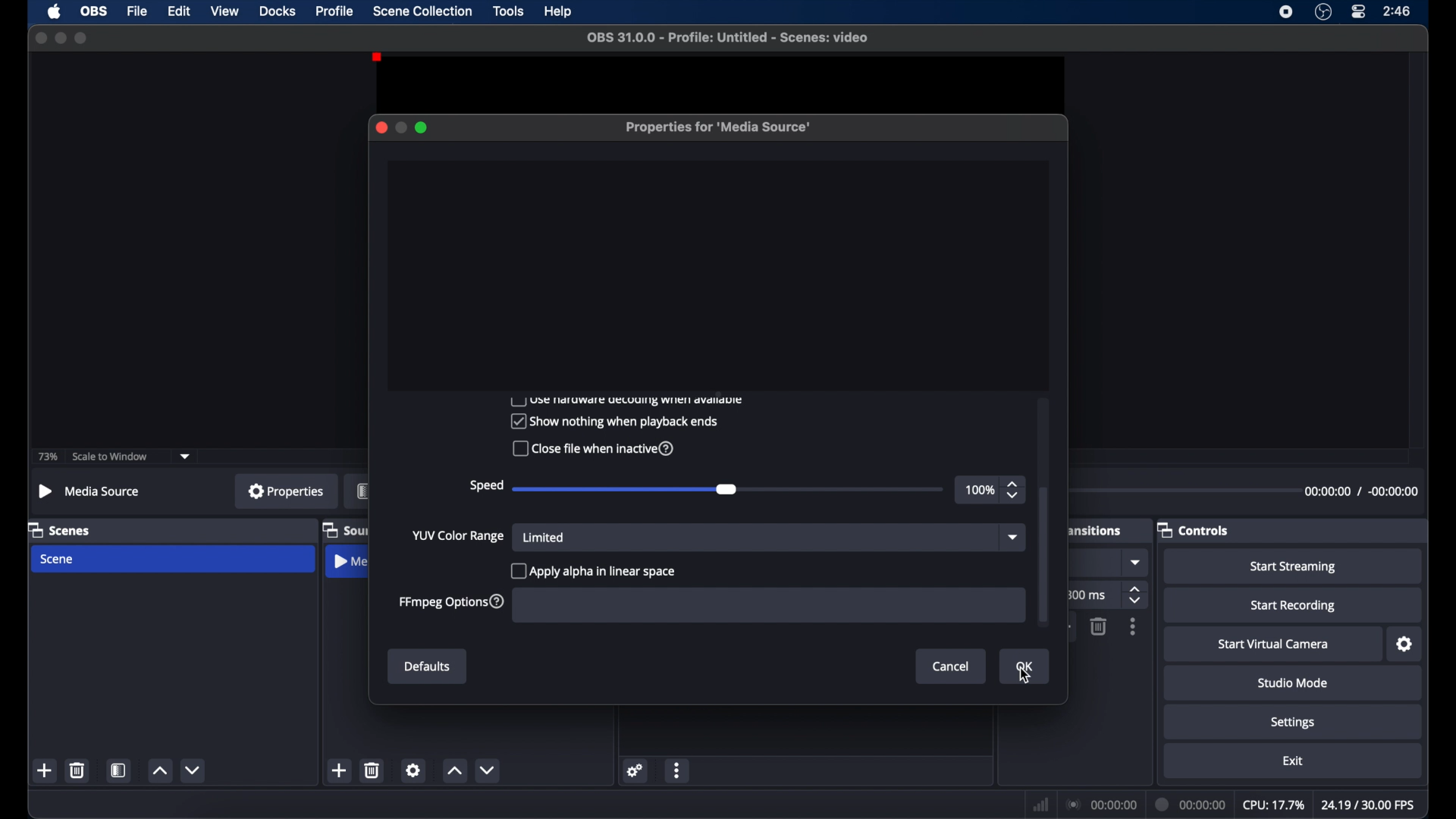 The width and height of the screenshot is (1456, 819). What do you see at coordinates (159, 771) in the screenshot?
I see `increment` at bounding box center [159, 771].